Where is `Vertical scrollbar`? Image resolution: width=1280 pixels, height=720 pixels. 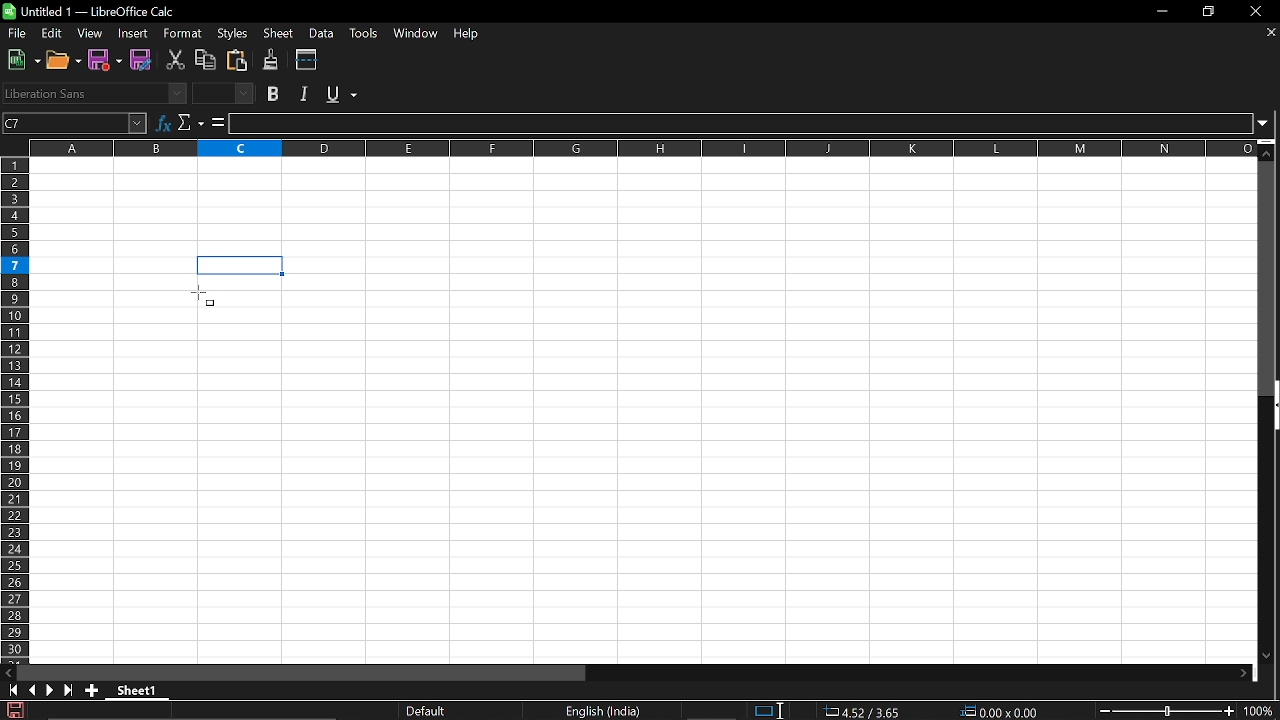
Vertical scrollbar is located at coordinates (1269, 278).